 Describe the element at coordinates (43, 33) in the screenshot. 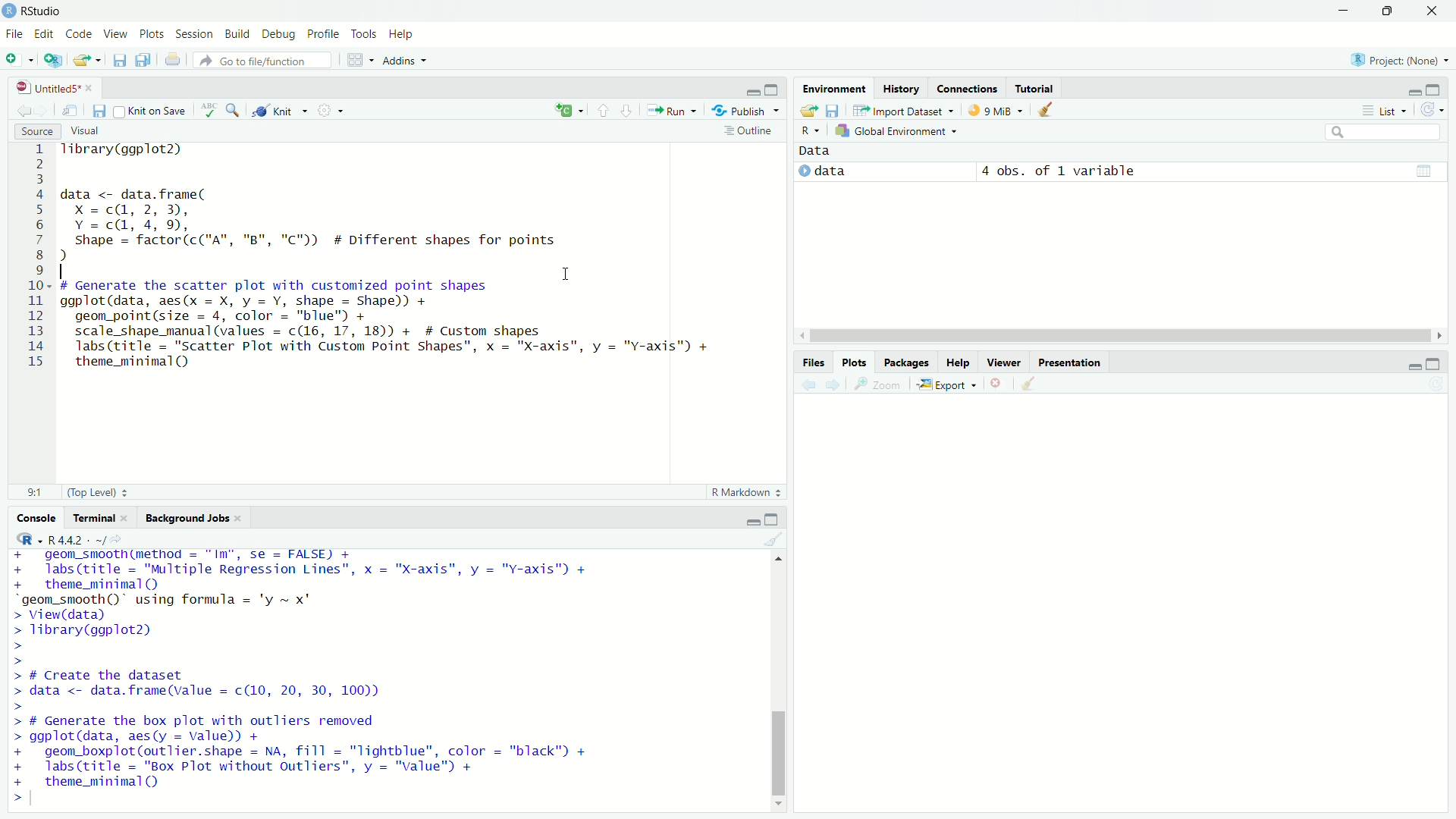

I see `Edit` at that location.